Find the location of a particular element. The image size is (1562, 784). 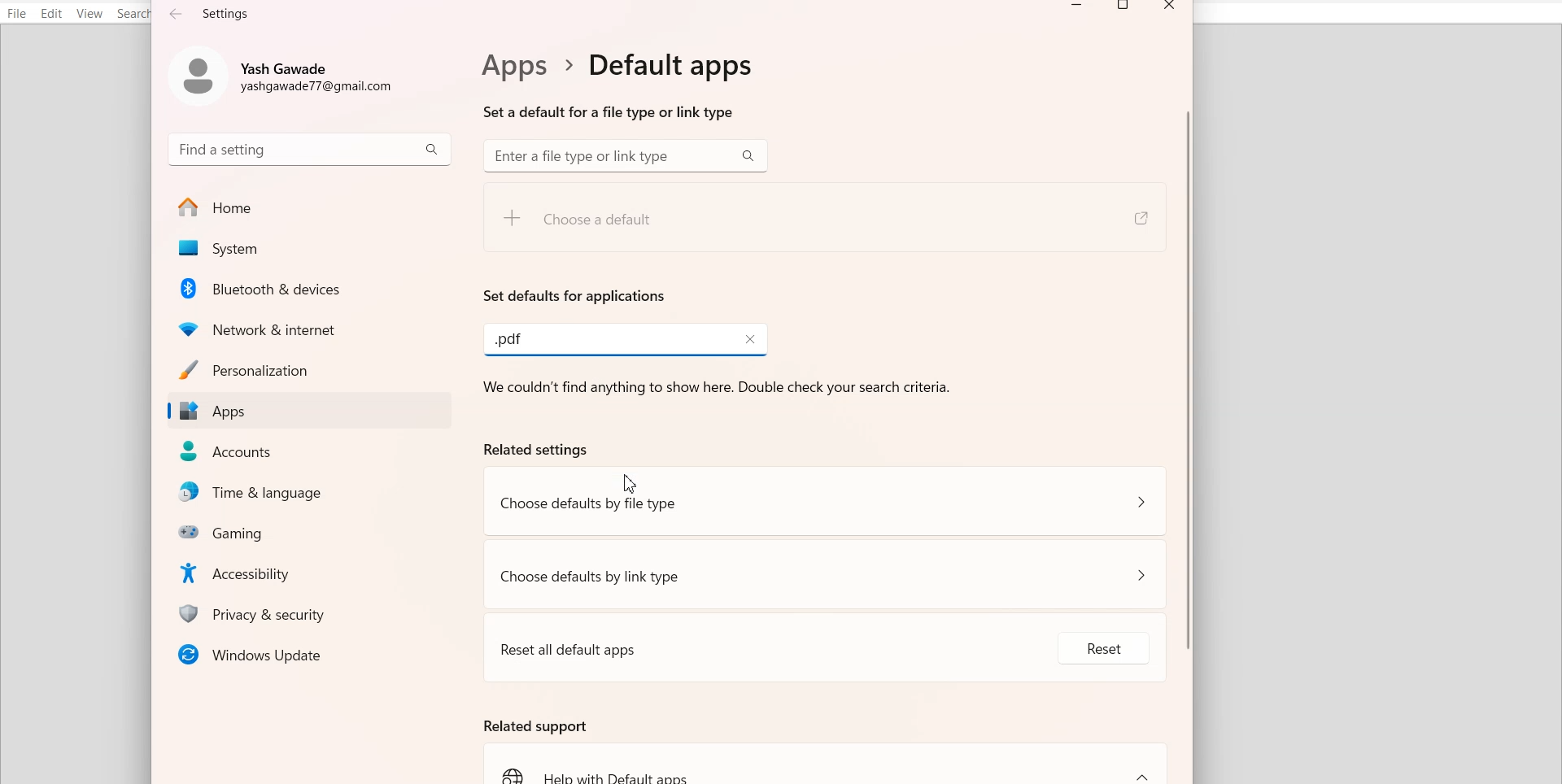

Minimize is located at coordinates (1077, 8).